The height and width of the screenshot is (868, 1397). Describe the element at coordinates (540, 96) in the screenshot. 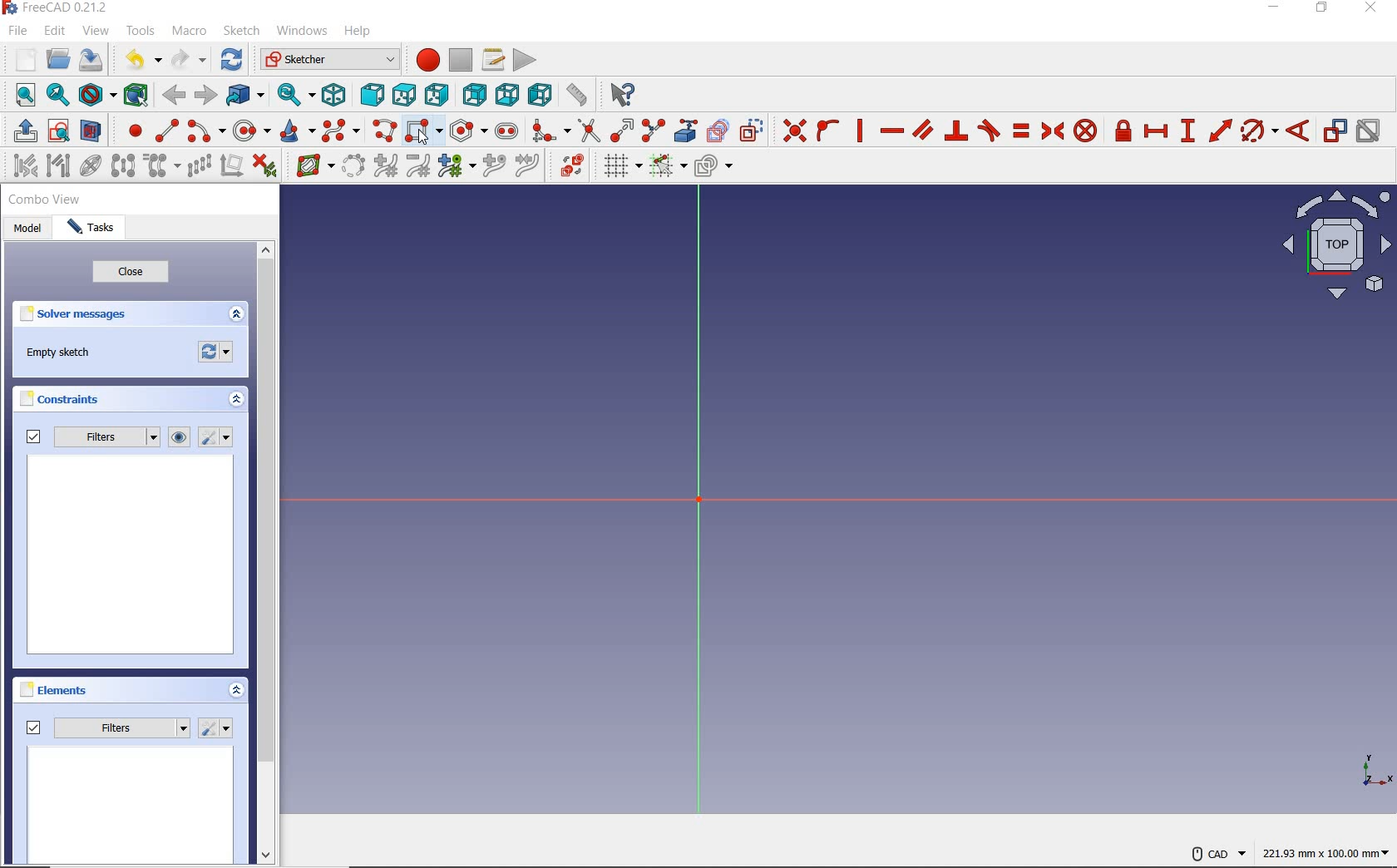

I see `left` at that location.